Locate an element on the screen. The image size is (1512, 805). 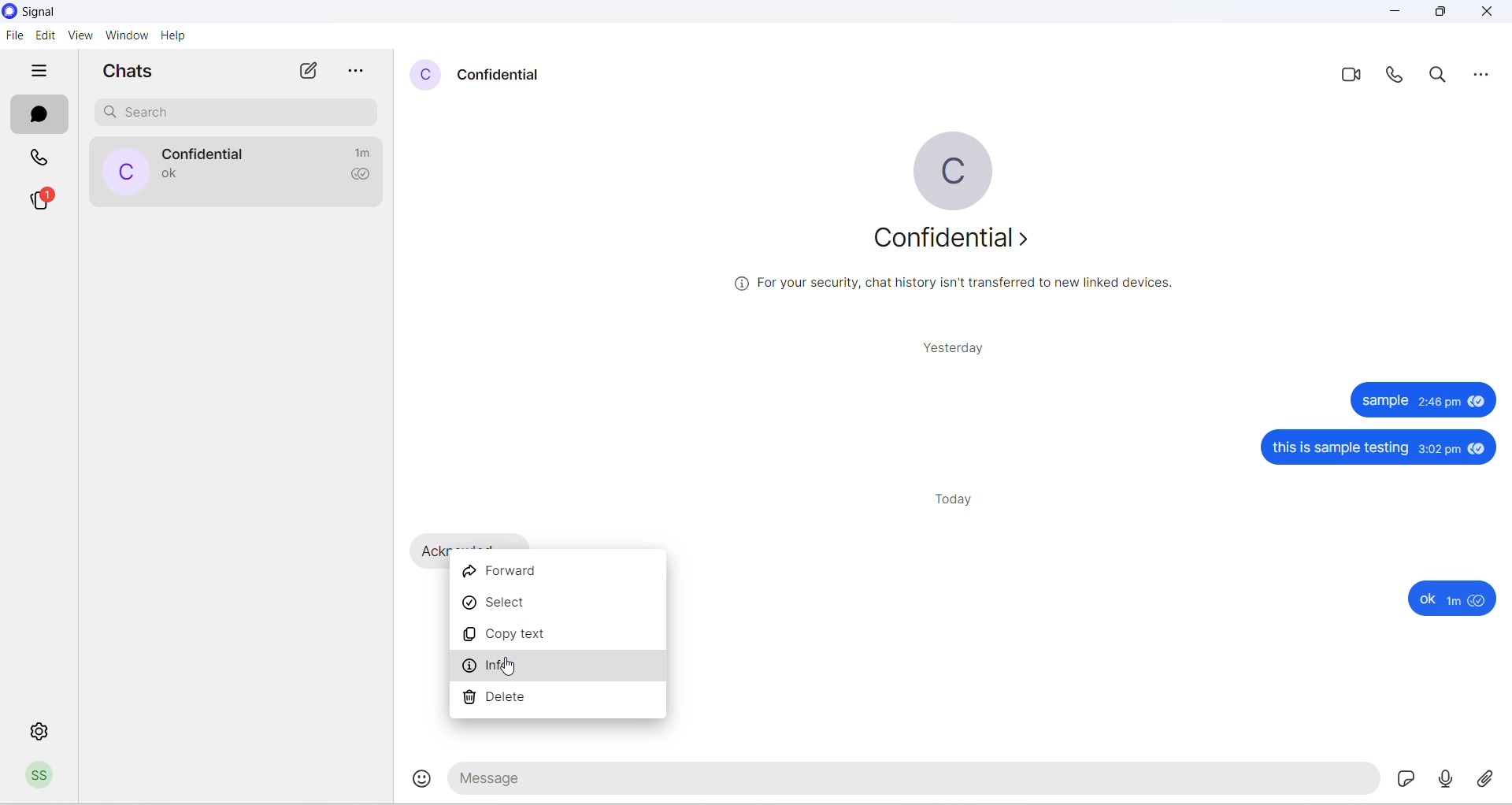
message text area is located at coordinates (913, 781).